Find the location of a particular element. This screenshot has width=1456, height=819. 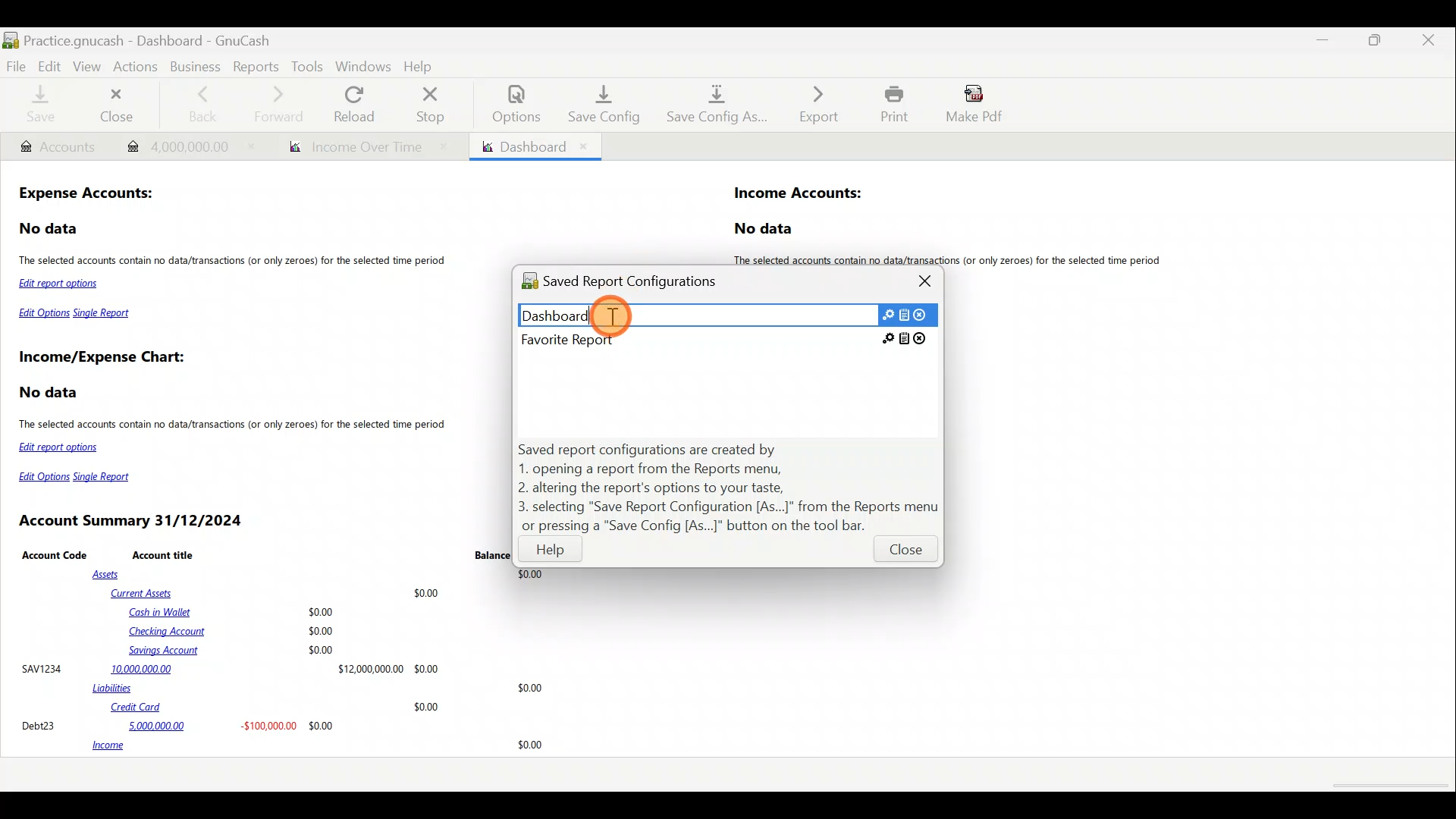

Report is located at coordinates (362, 147).